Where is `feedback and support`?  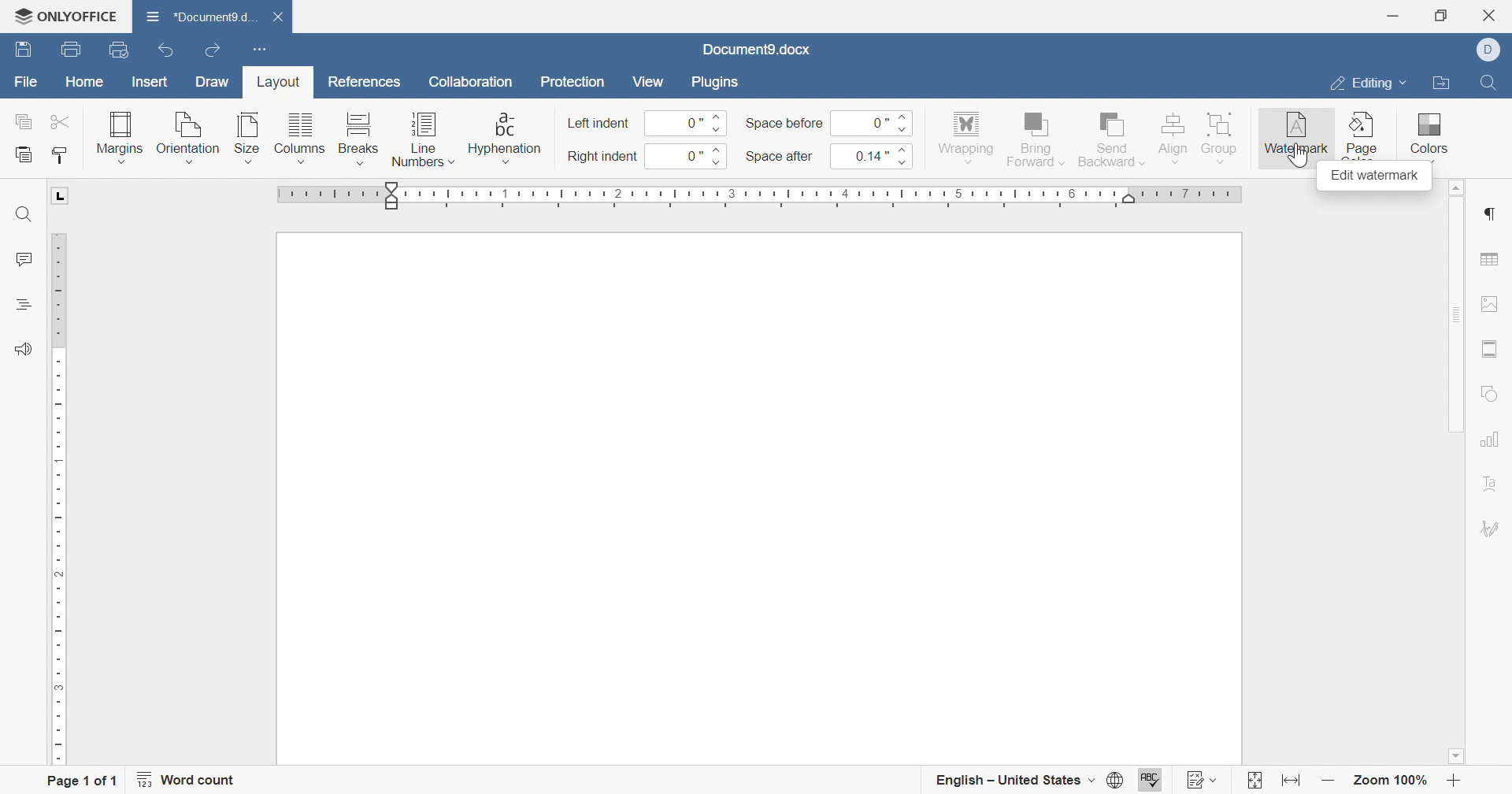 feedback and support is located at coordinates (23, 350).